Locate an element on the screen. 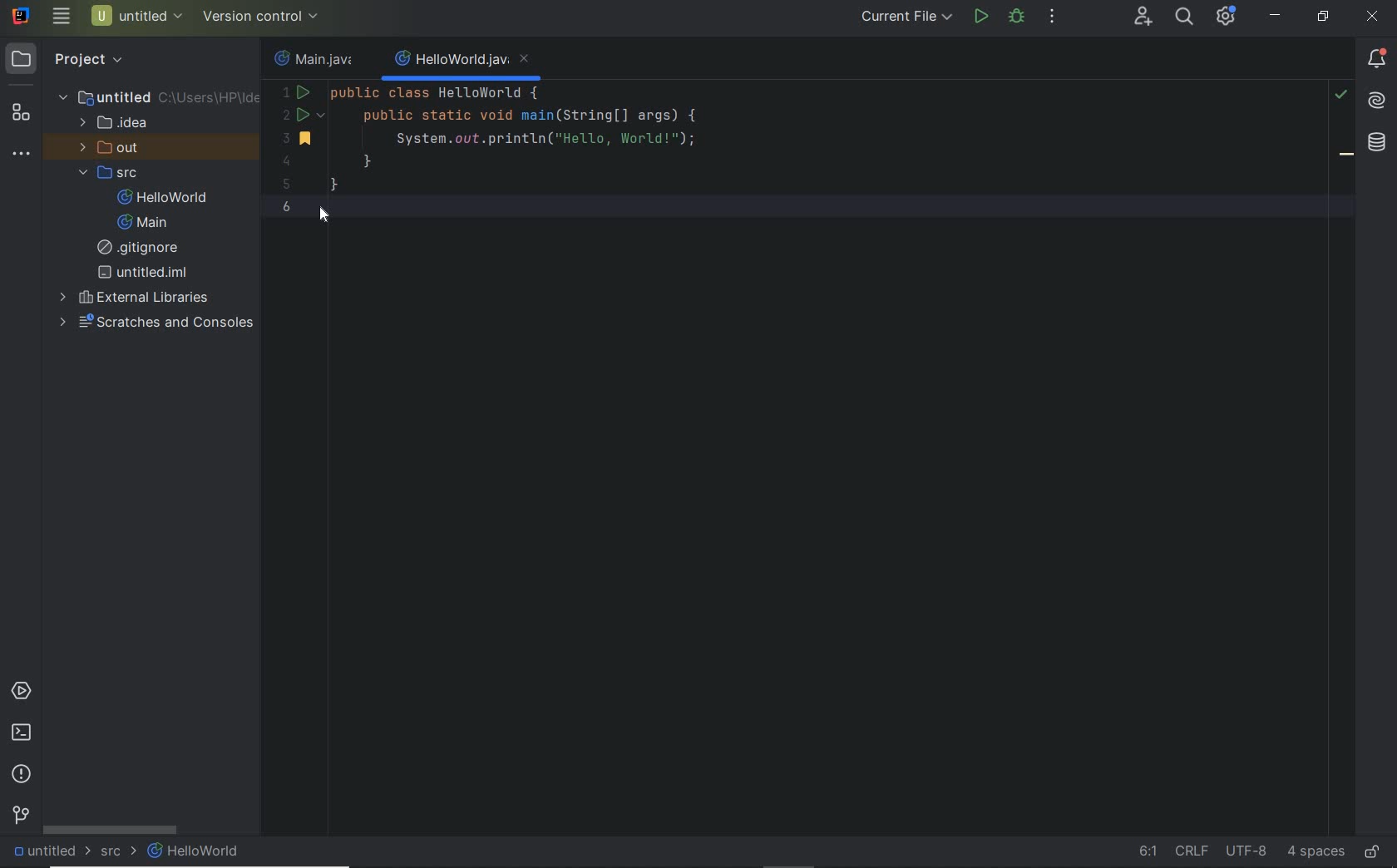 Image resolution: width=1397 pixels, height=868 pixels. problems is located at coordinates (21, 776).